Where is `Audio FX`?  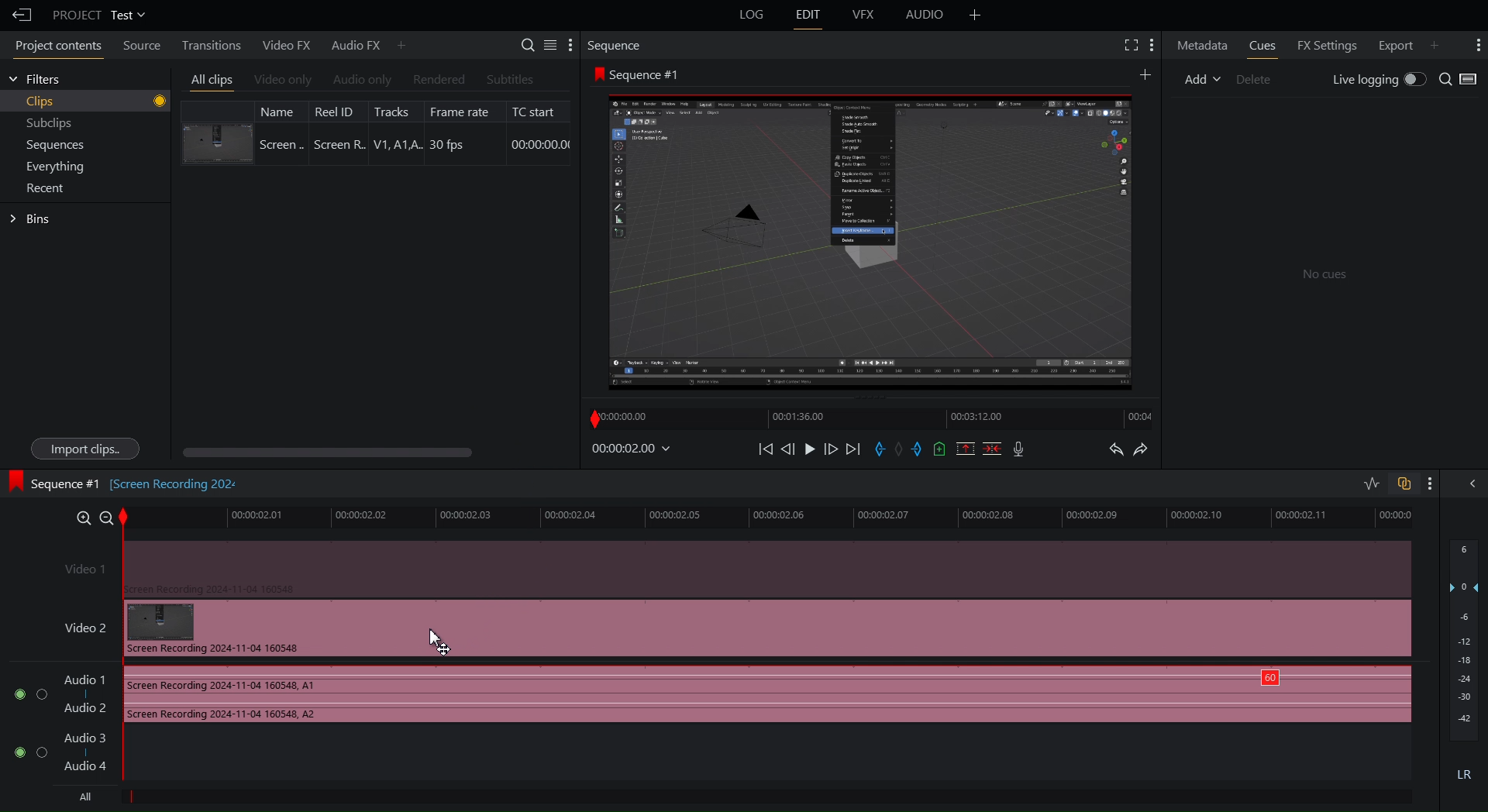
Audio FX is located at coordinates (350, 45).